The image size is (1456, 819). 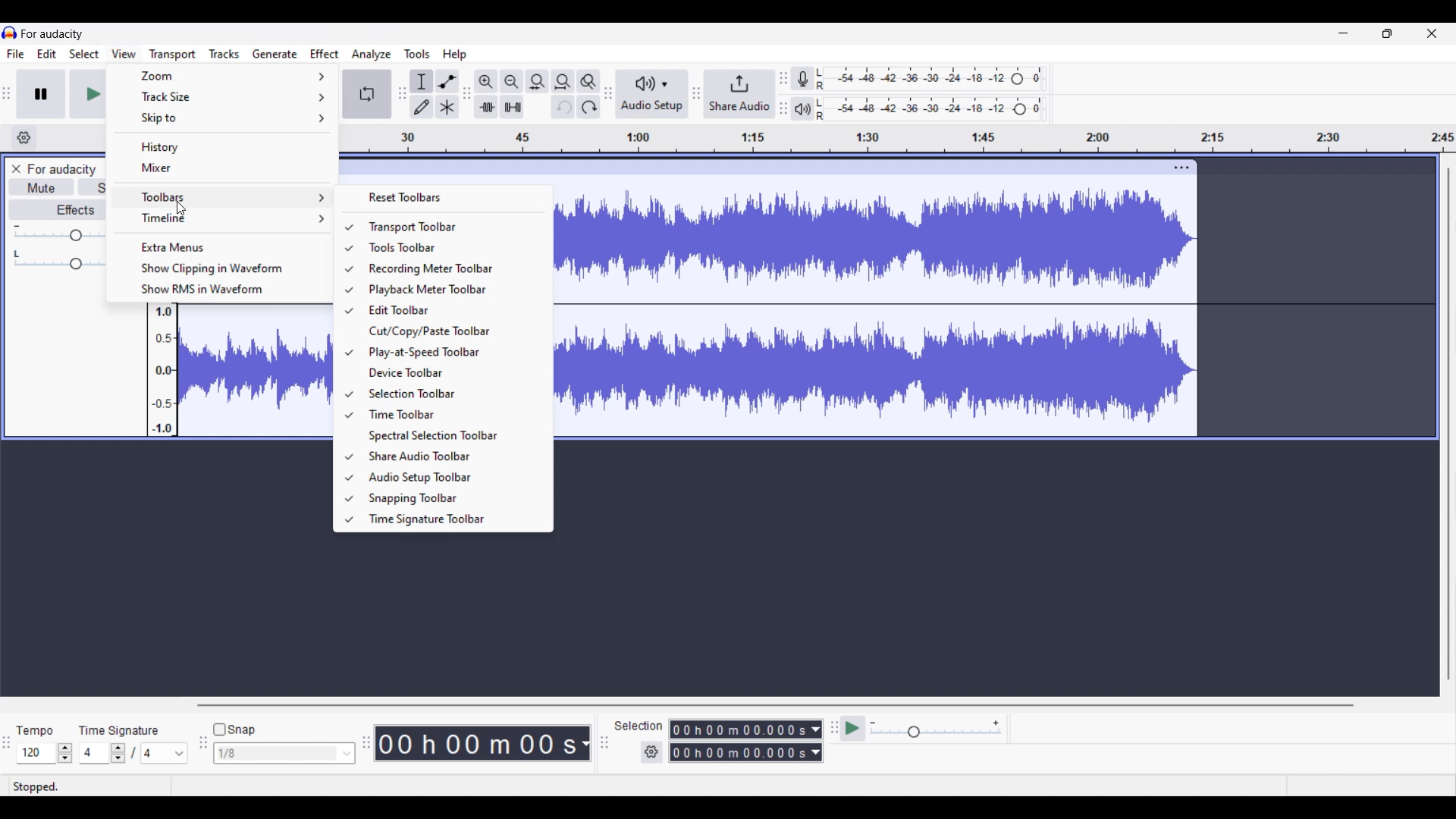 What do you see at coordinates (932, 79) in the screenshot?
I see `Recording level` at bounding box center [932, 79].